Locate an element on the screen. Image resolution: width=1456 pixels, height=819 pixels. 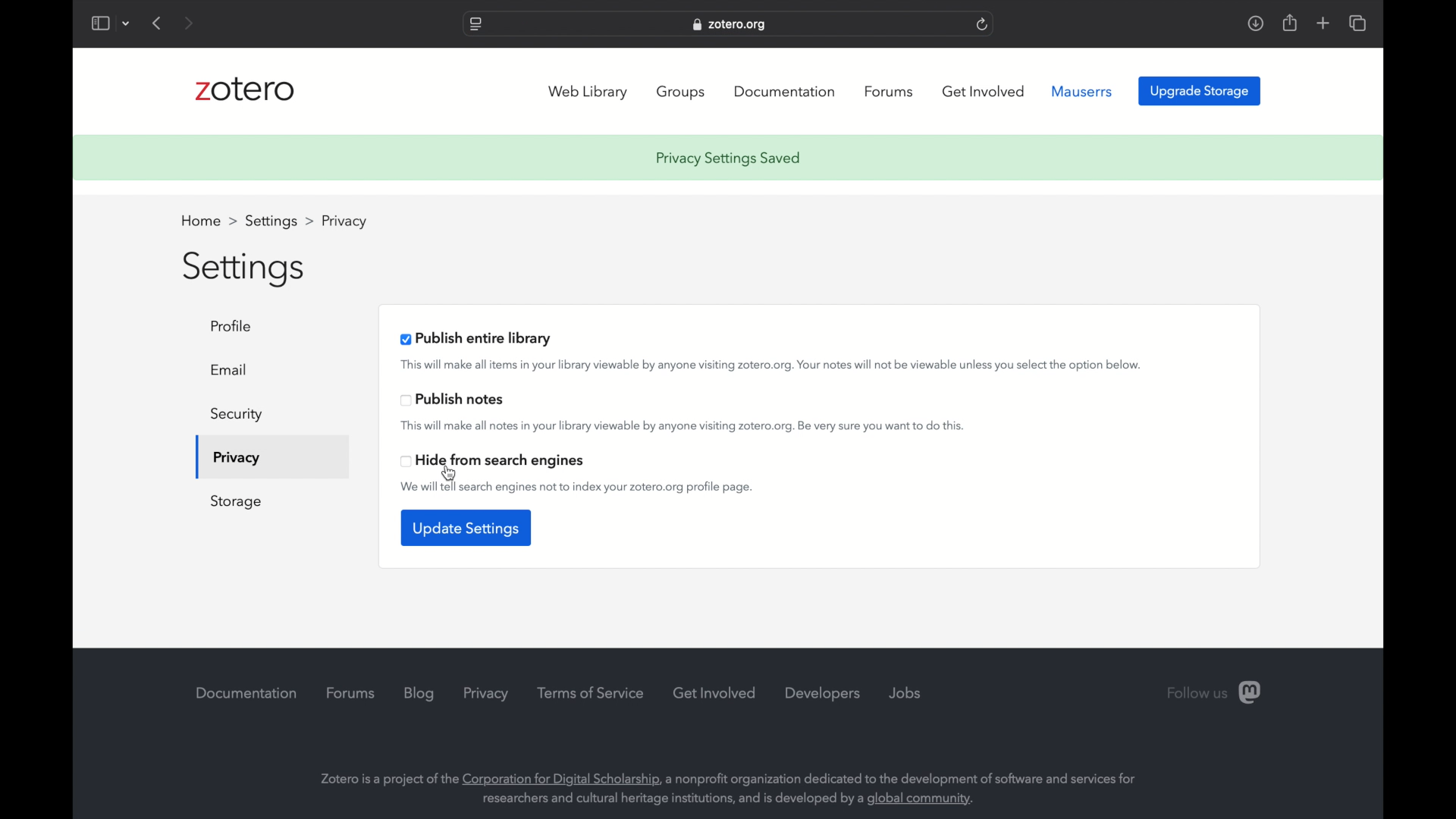
get involved is located at coordinates (715, 692).